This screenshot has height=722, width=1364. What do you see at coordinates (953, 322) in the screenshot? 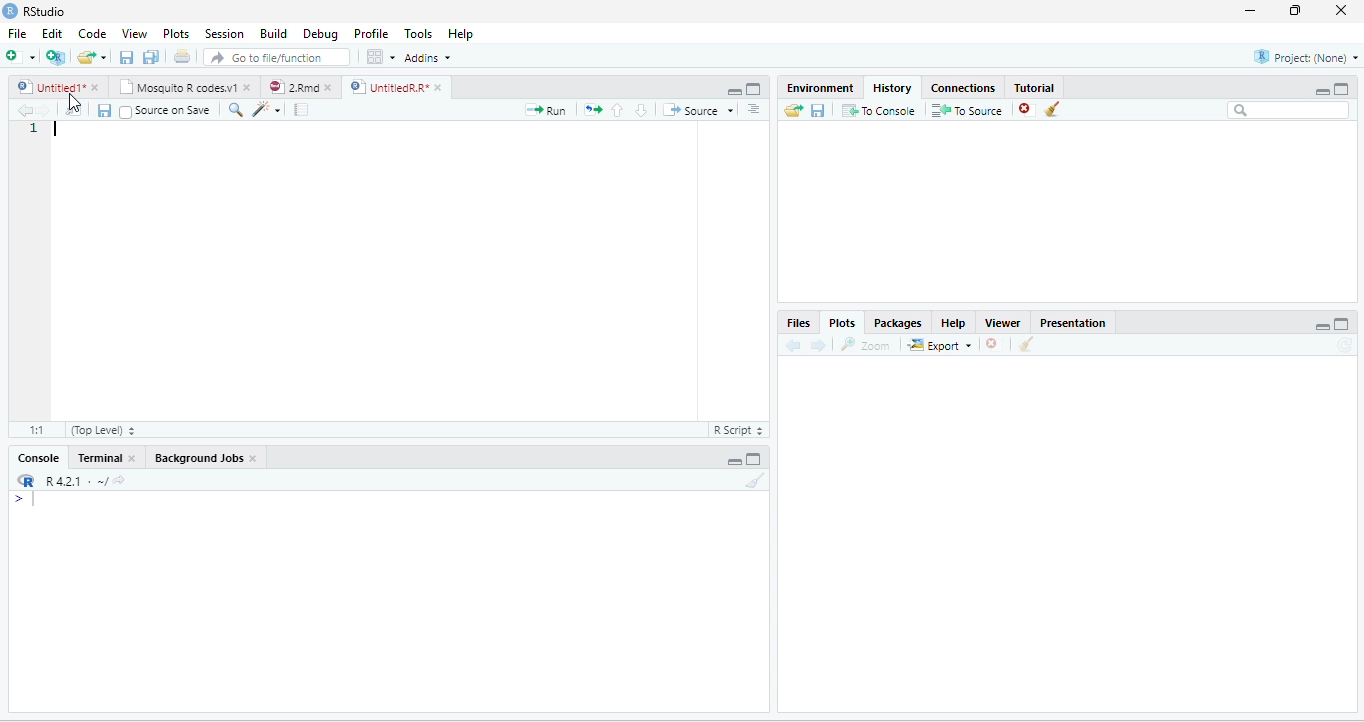
I see `Help` at bounding box center [953, 322].